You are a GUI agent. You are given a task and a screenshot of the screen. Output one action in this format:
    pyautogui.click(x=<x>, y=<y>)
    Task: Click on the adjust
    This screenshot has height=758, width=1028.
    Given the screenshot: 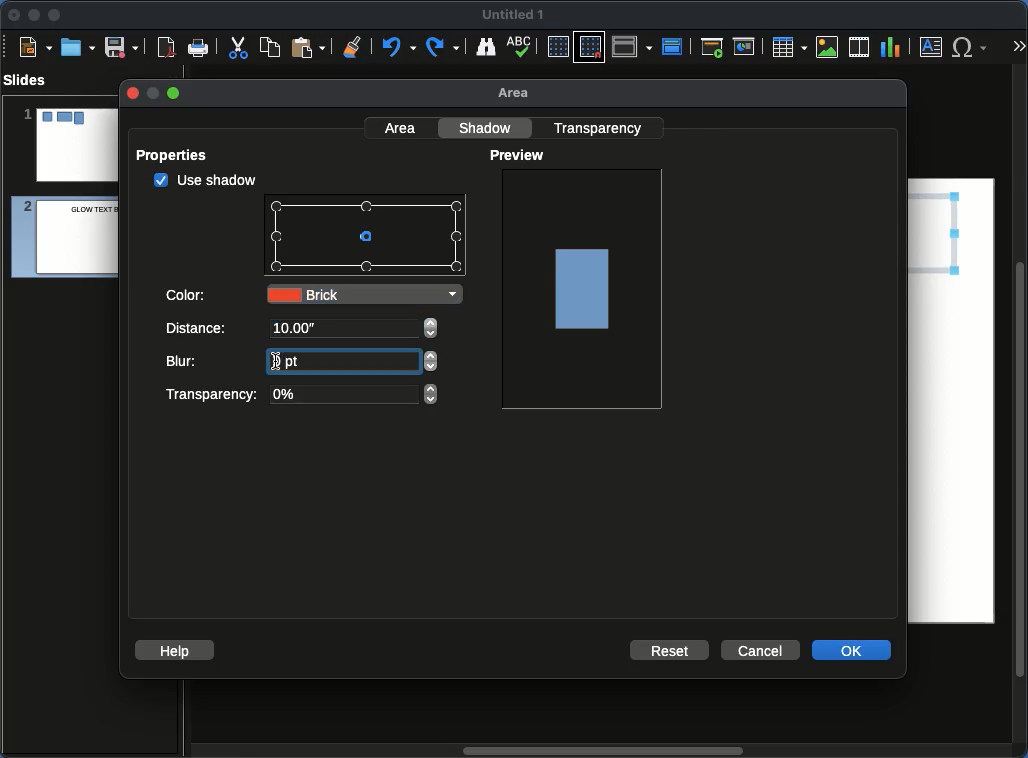 What is the action you would take?
    pyautogui.click(x=431, y=329)
    